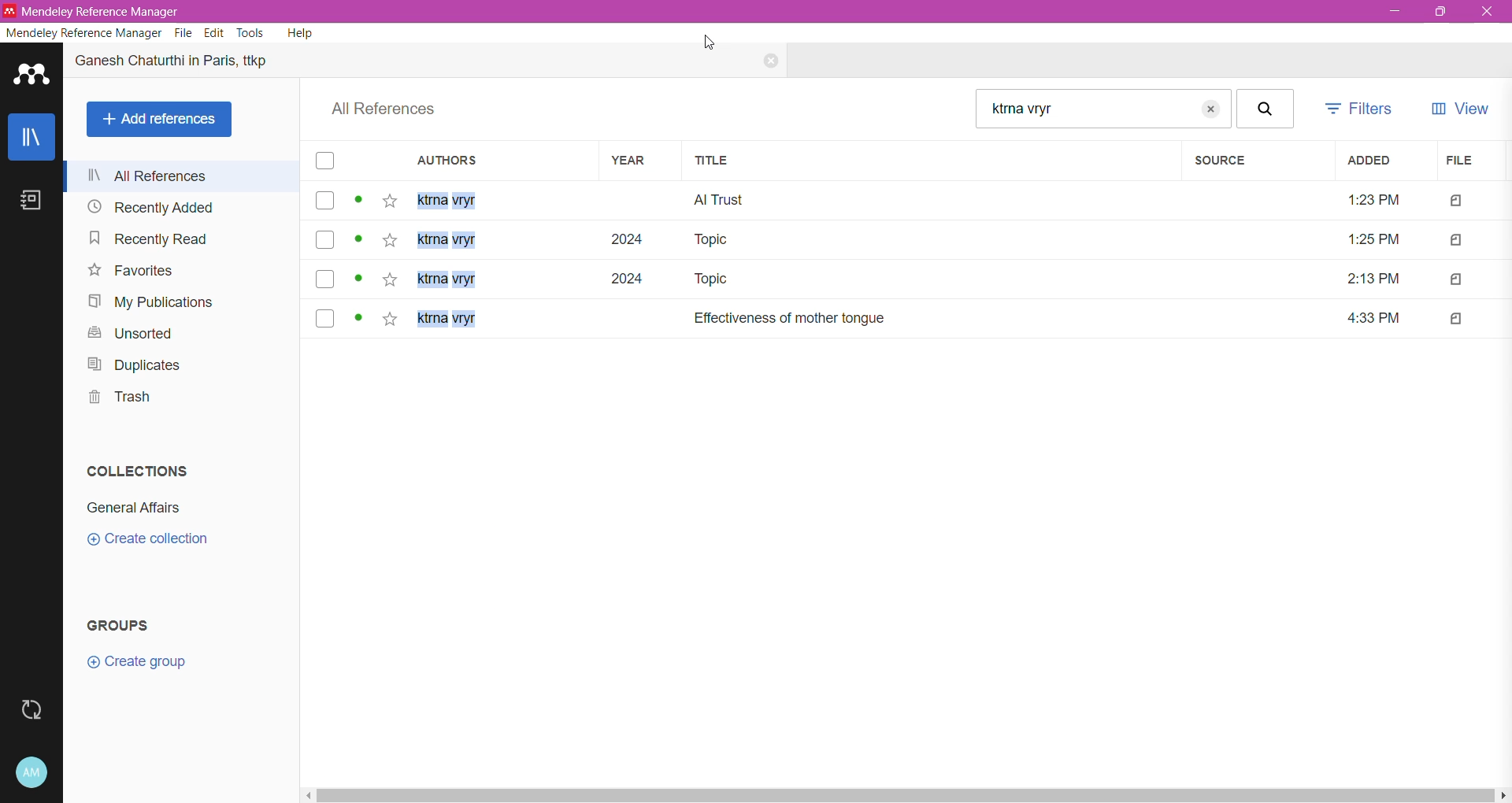 This screenshot has height=803, width=1512. Describe the element at coordinates (128, 334) in the screenshot. I see `Unsorted` at that location.